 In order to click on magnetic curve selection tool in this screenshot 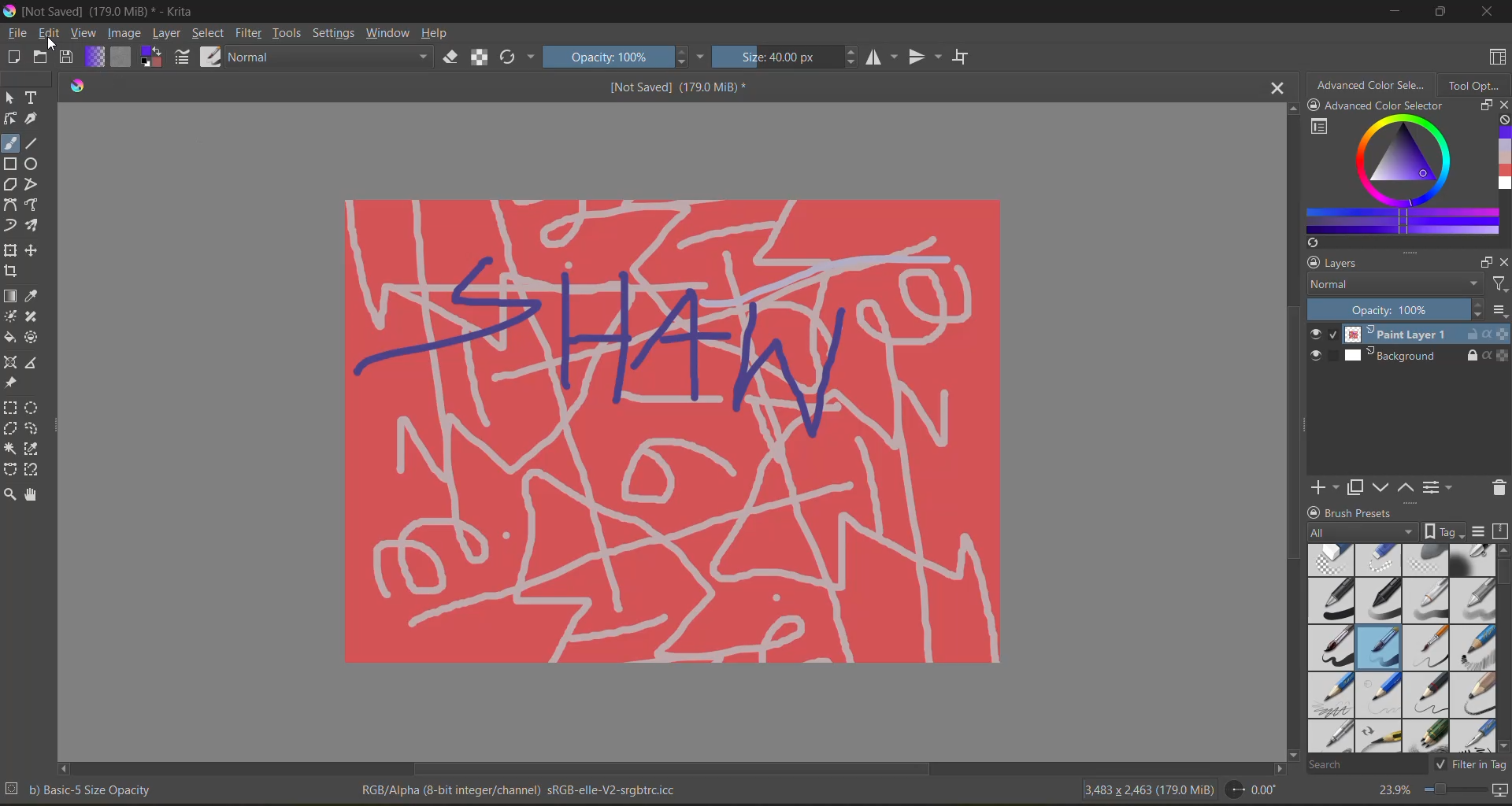, I will do `click(34, 470)`.